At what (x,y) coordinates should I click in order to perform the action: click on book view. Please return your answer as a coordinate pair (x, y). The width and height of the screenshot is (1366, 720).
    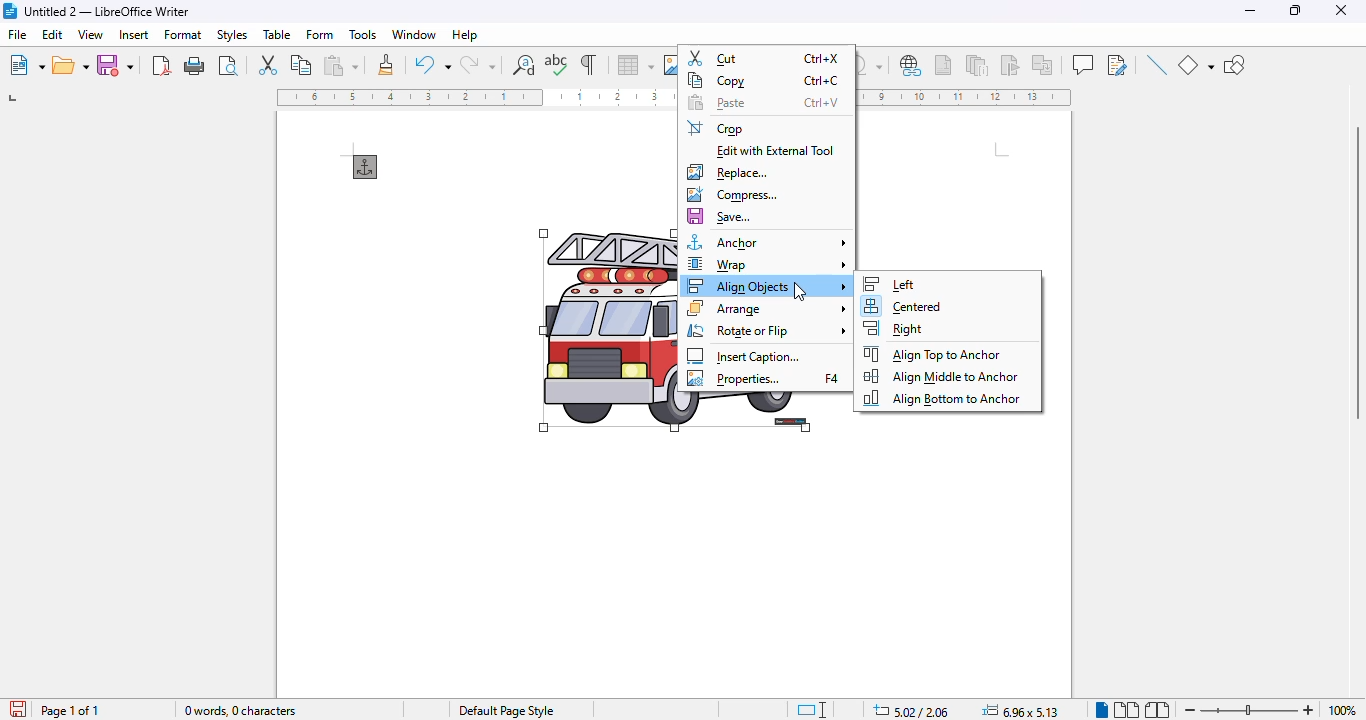
    Looking at the image, I should click on (1157, 710).